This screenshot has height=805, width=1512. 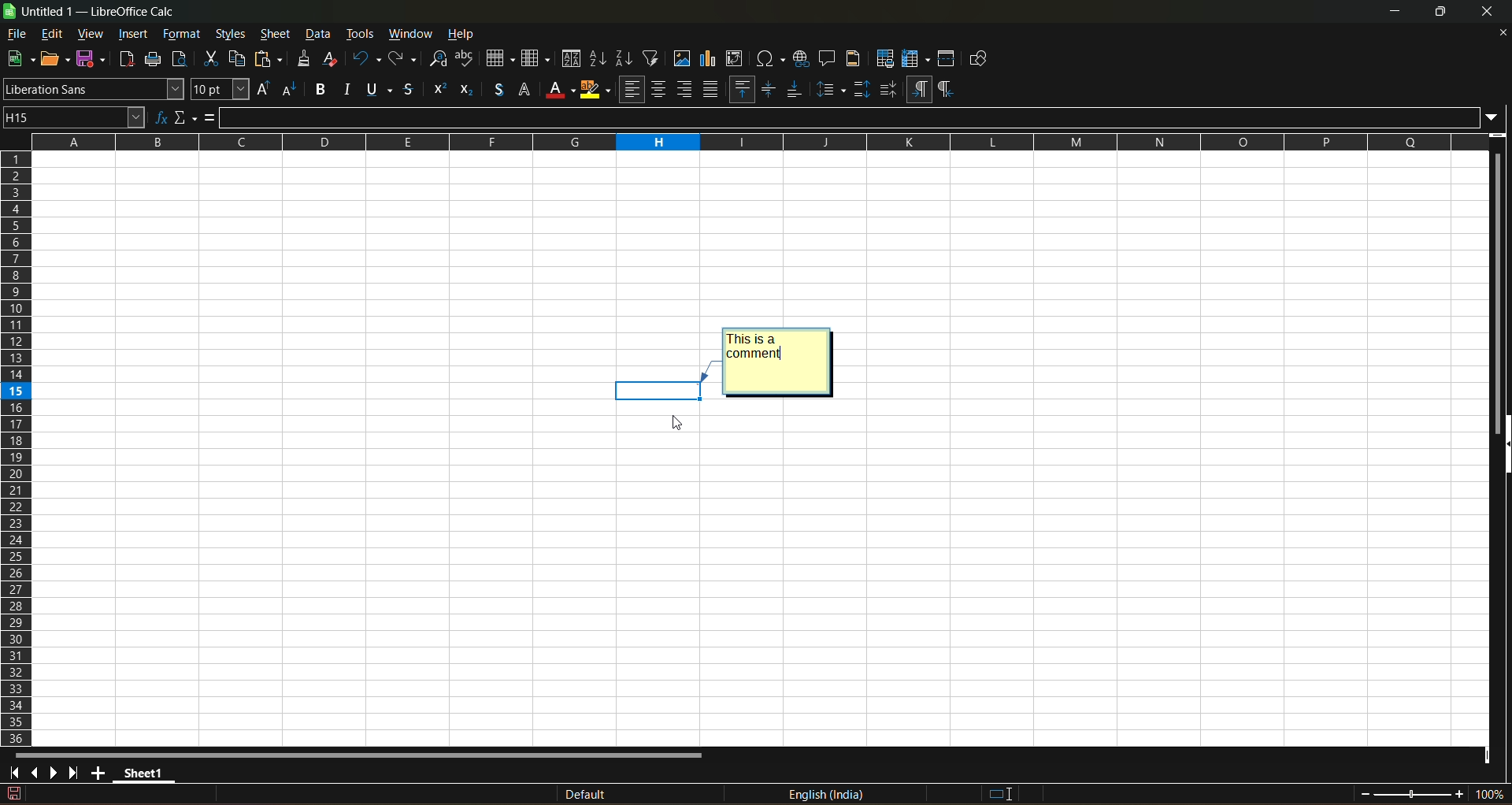 I want to click on auto filter, so click(x=651, y=59).